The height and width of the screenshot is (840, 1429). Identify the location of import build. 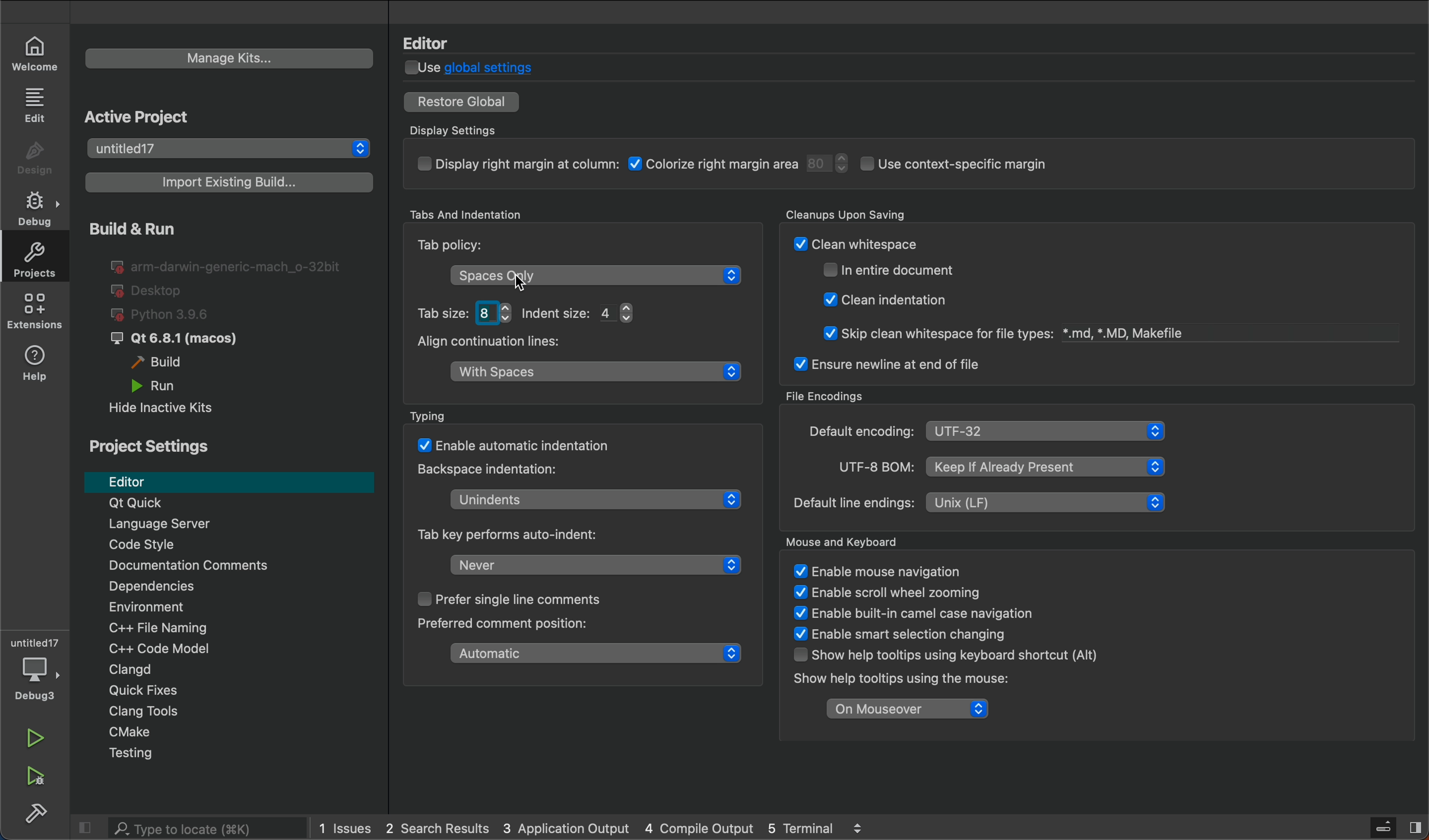
(230, 182).